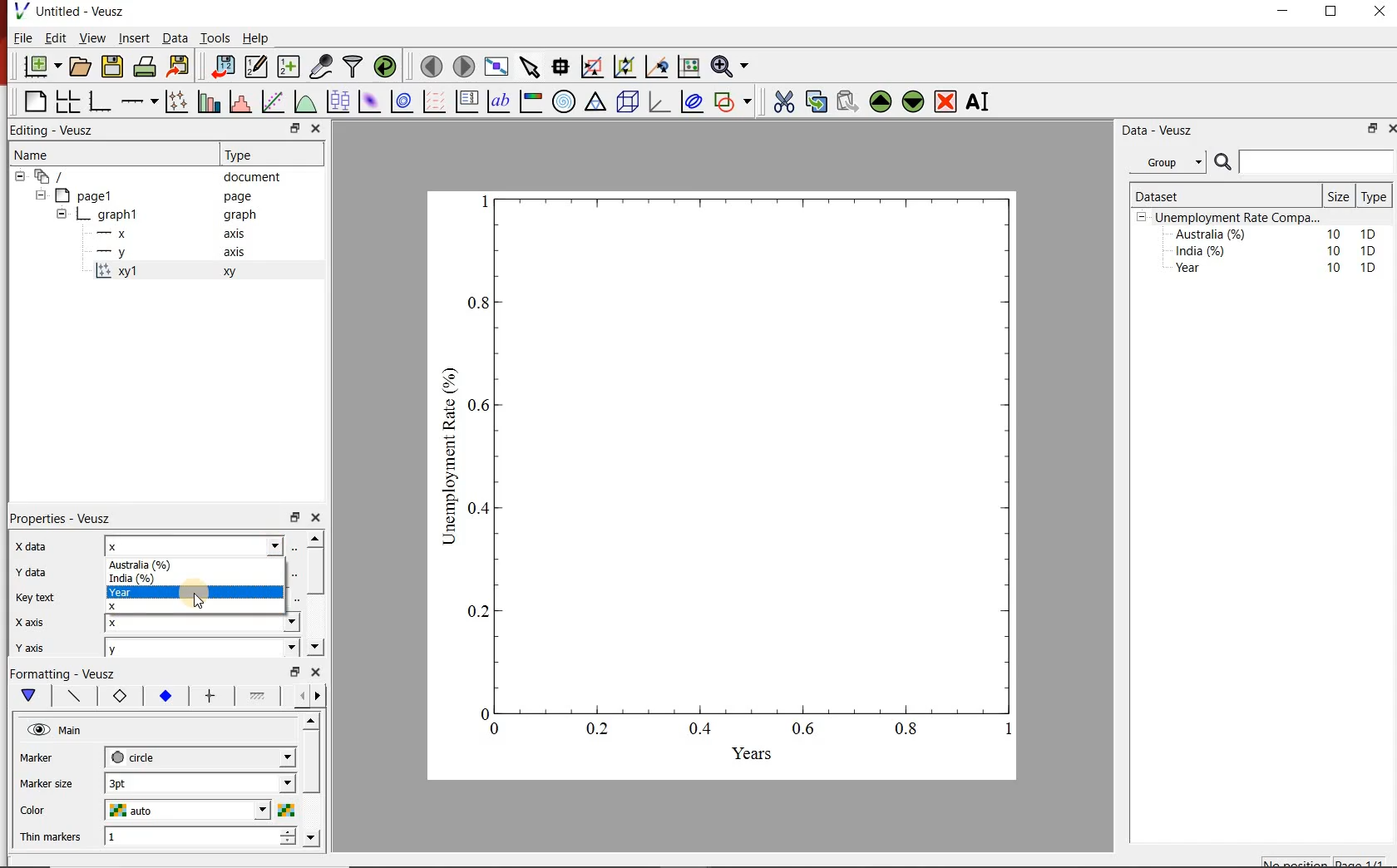 Image resolution: width=1397 pixels, height=868 pixels. What do you see at coordinates (133, 37) in the screenshot?
I see `Insert` at bounding box center [133, 37].